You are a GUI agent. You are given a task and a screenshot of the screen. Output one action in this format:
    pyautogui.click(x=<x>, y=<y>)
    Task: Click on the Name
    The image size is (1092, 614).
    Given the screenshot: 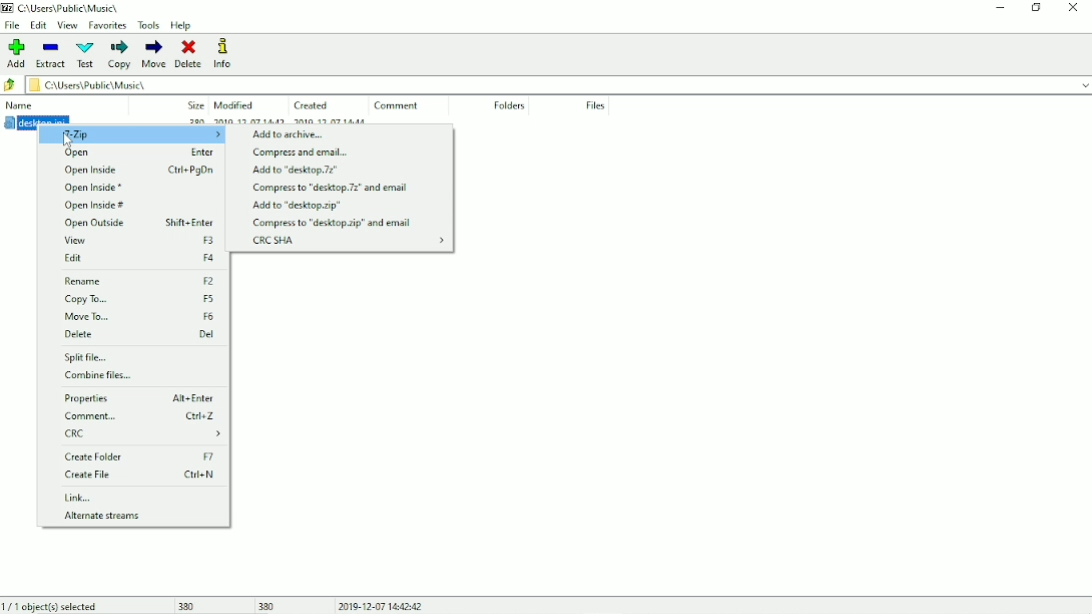 What is the action you would take?
    pyautogui.click(x=20, y=104)
    